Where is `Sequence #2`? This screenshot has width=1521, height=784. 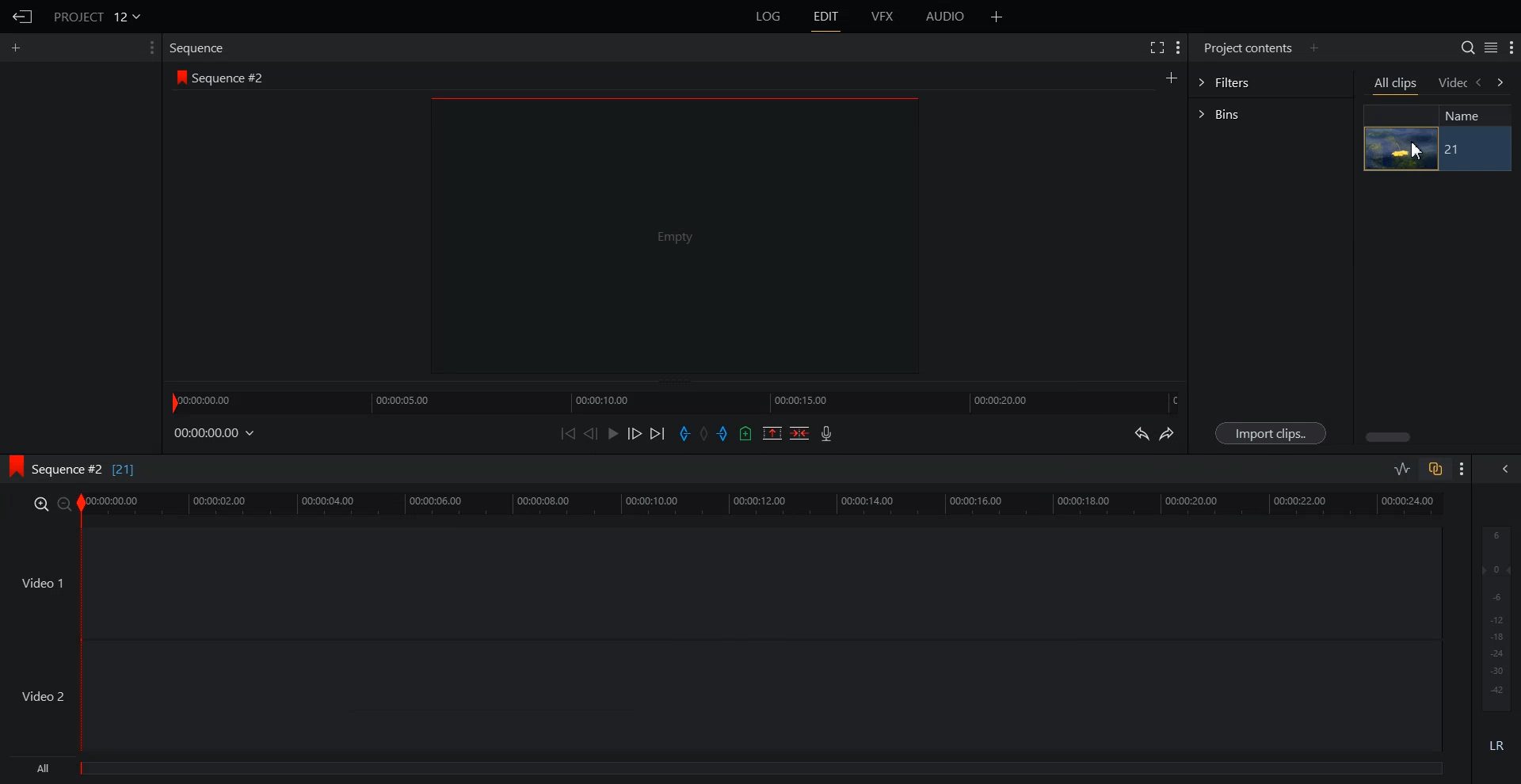
Sequence #2 is located at coordinates (233, 78).